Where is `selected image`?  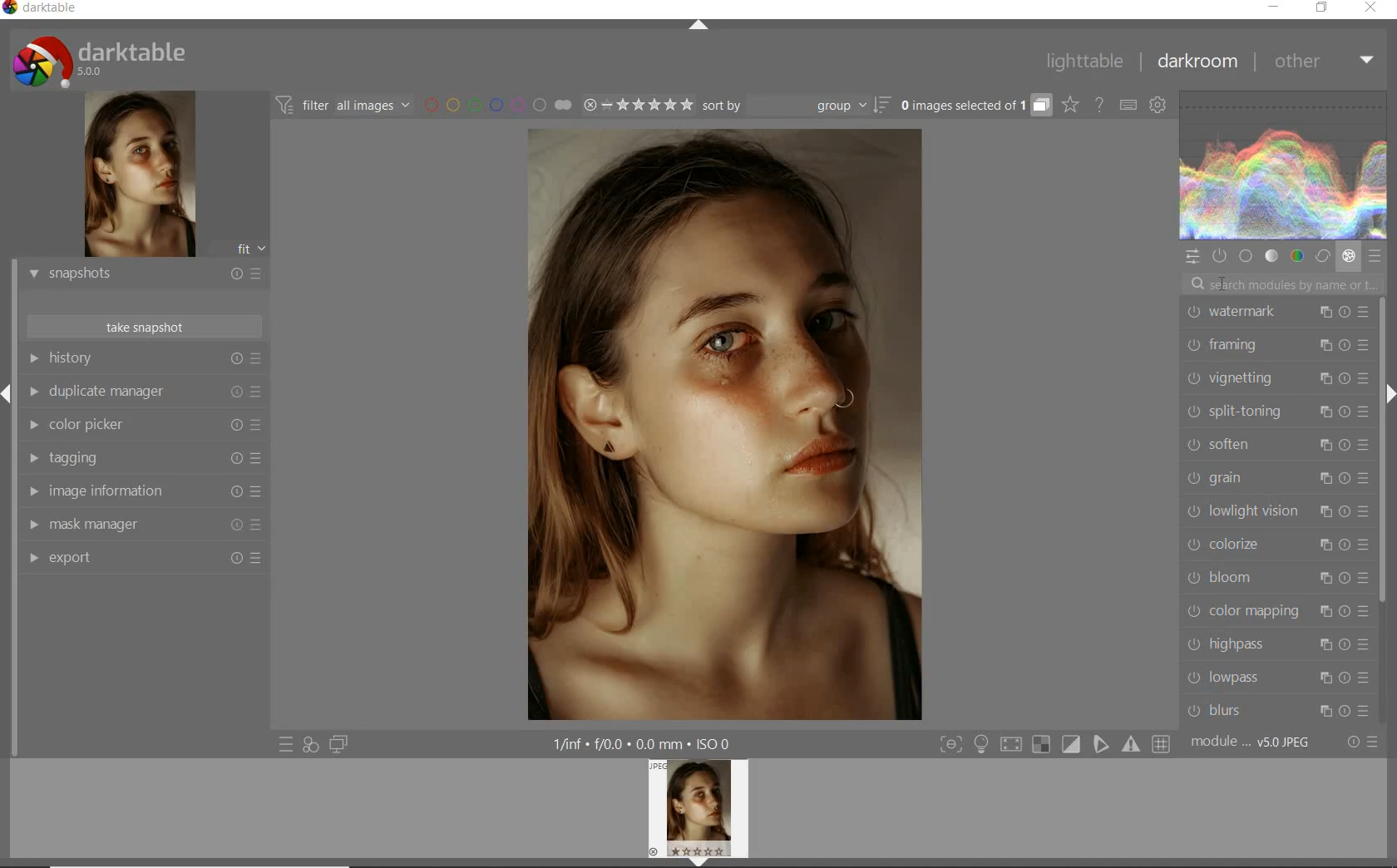
selected image is located at coordinates (728, 424).